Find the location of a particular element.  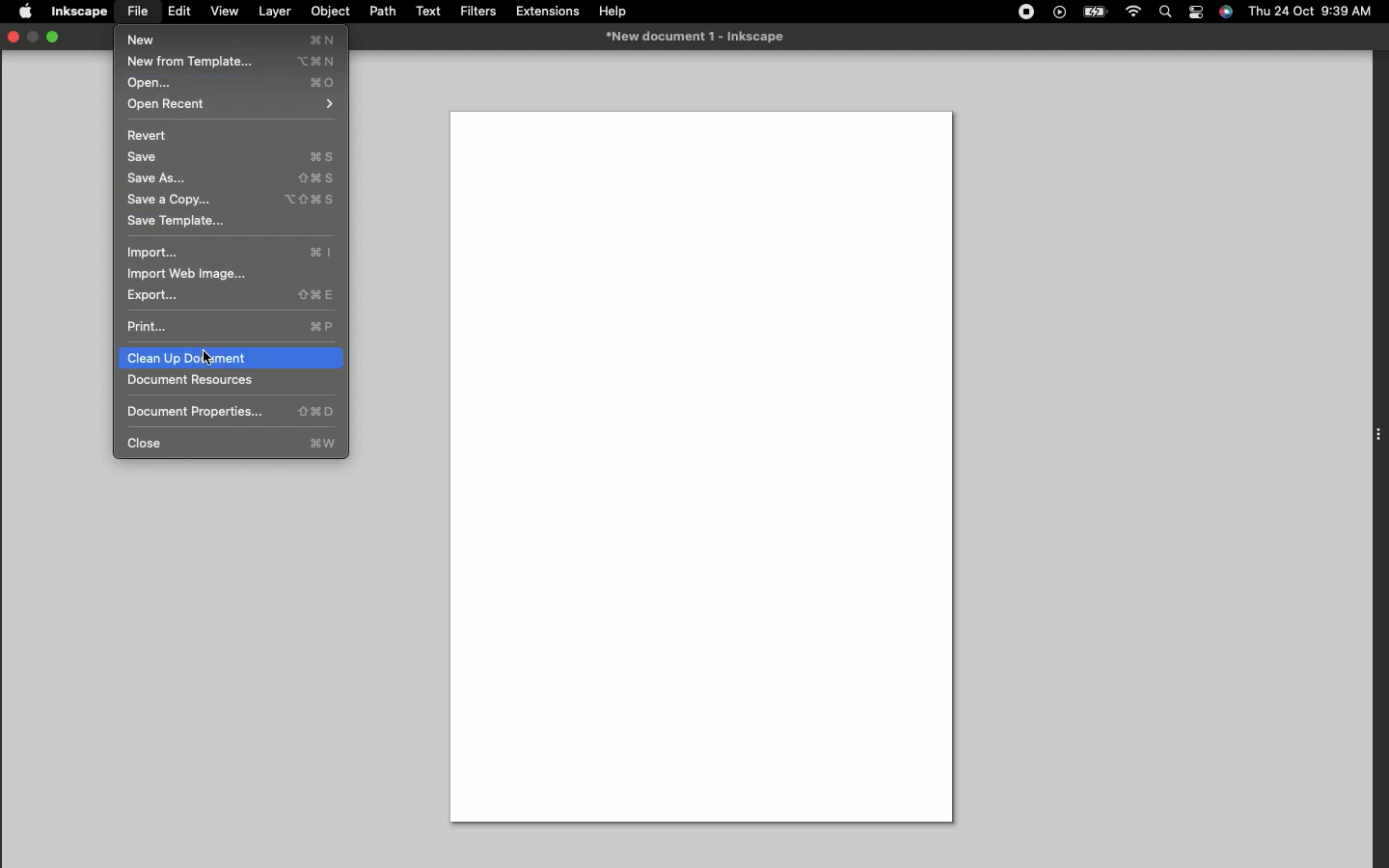

Clear up document is located at coordinates (231, 359).